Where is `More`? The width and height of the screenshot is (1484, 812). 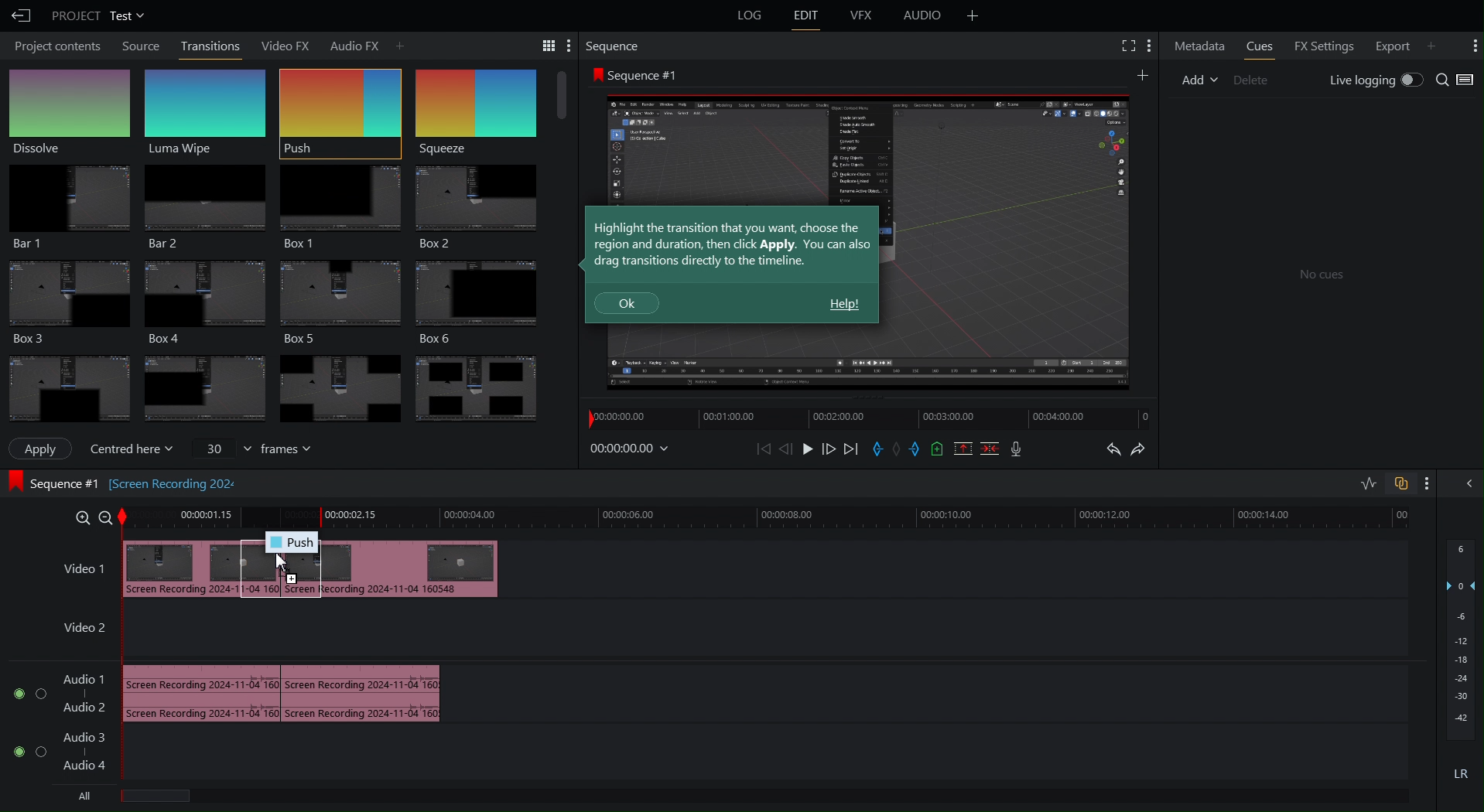
More is located at coordinates (1148, 45).